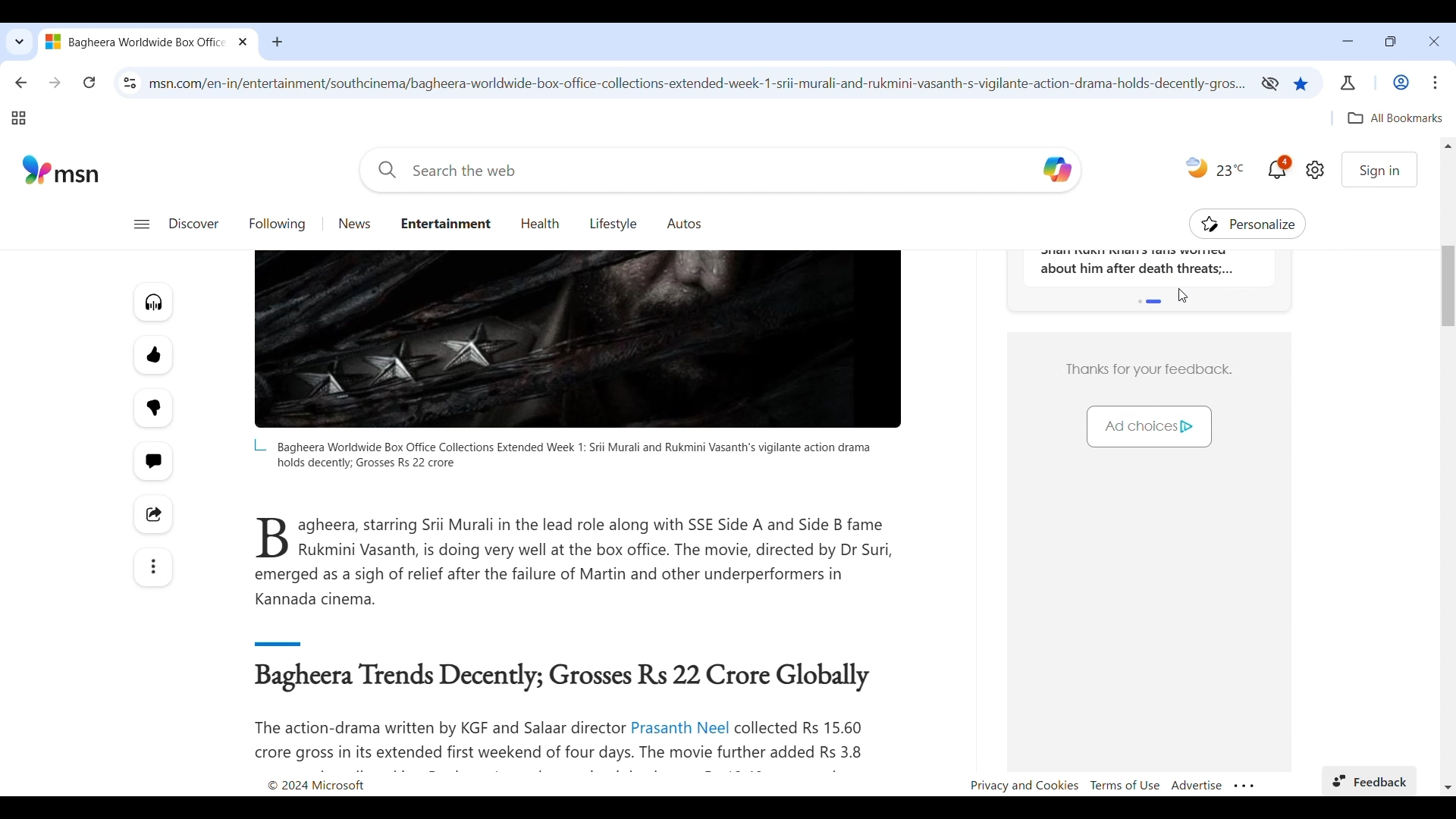 The image size is (1456, 819). I want to click on Time of the day, so click(1197, 167).